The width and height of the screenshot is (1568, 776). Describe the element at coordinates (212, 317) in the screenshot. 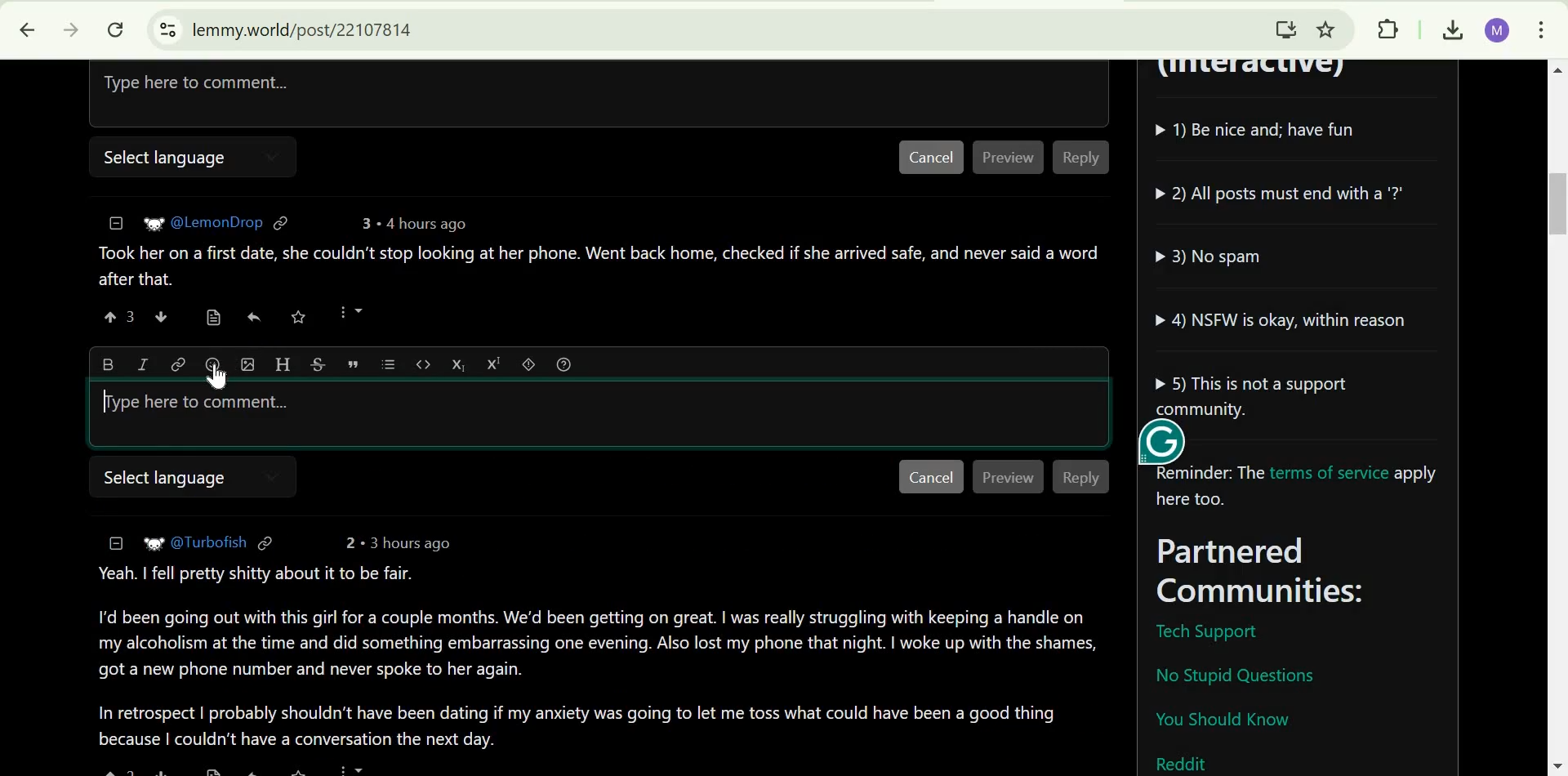

I see `view source` at that location.